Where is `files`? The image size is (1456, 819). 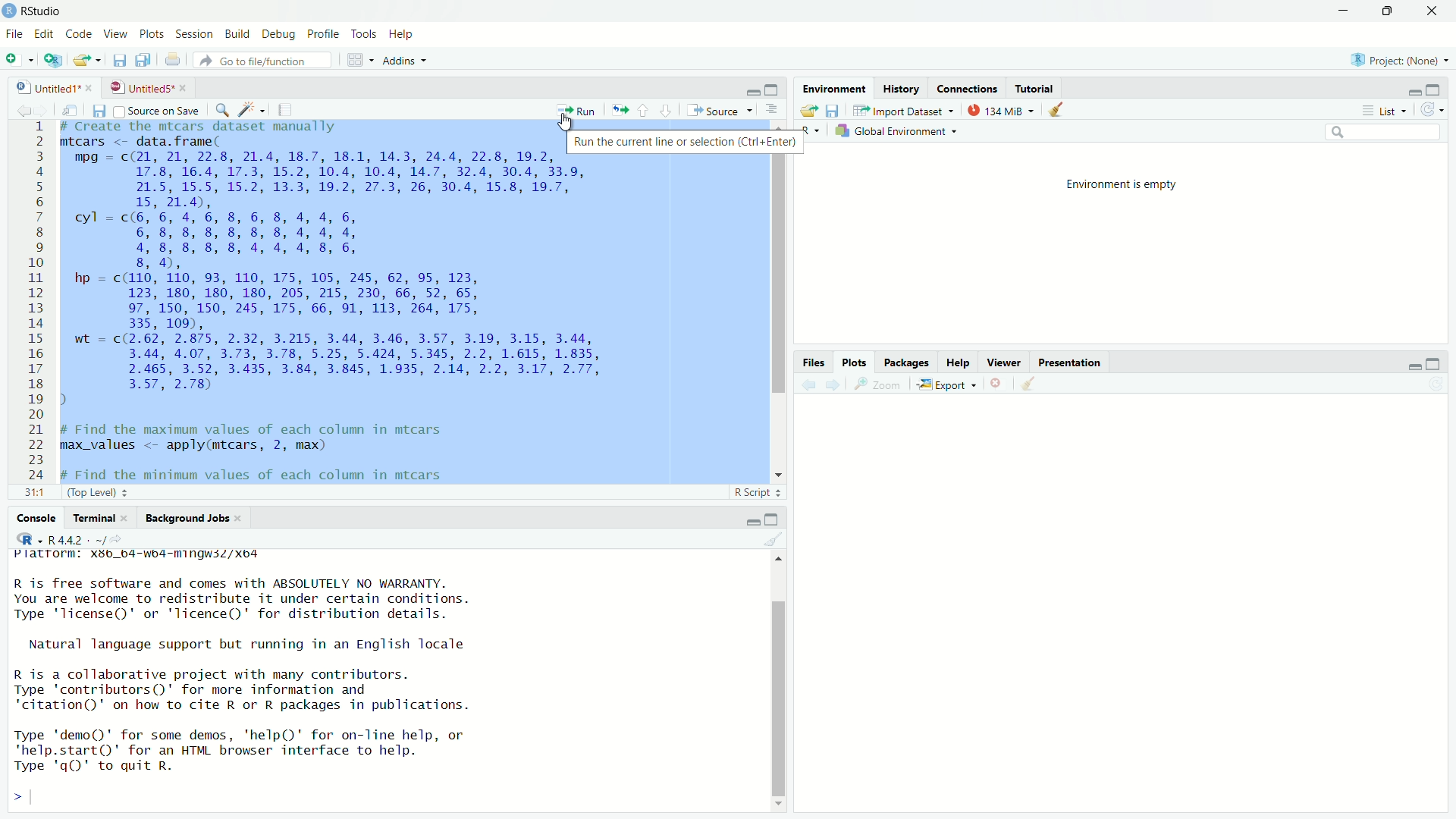 files is located at coordinates (839, 112).